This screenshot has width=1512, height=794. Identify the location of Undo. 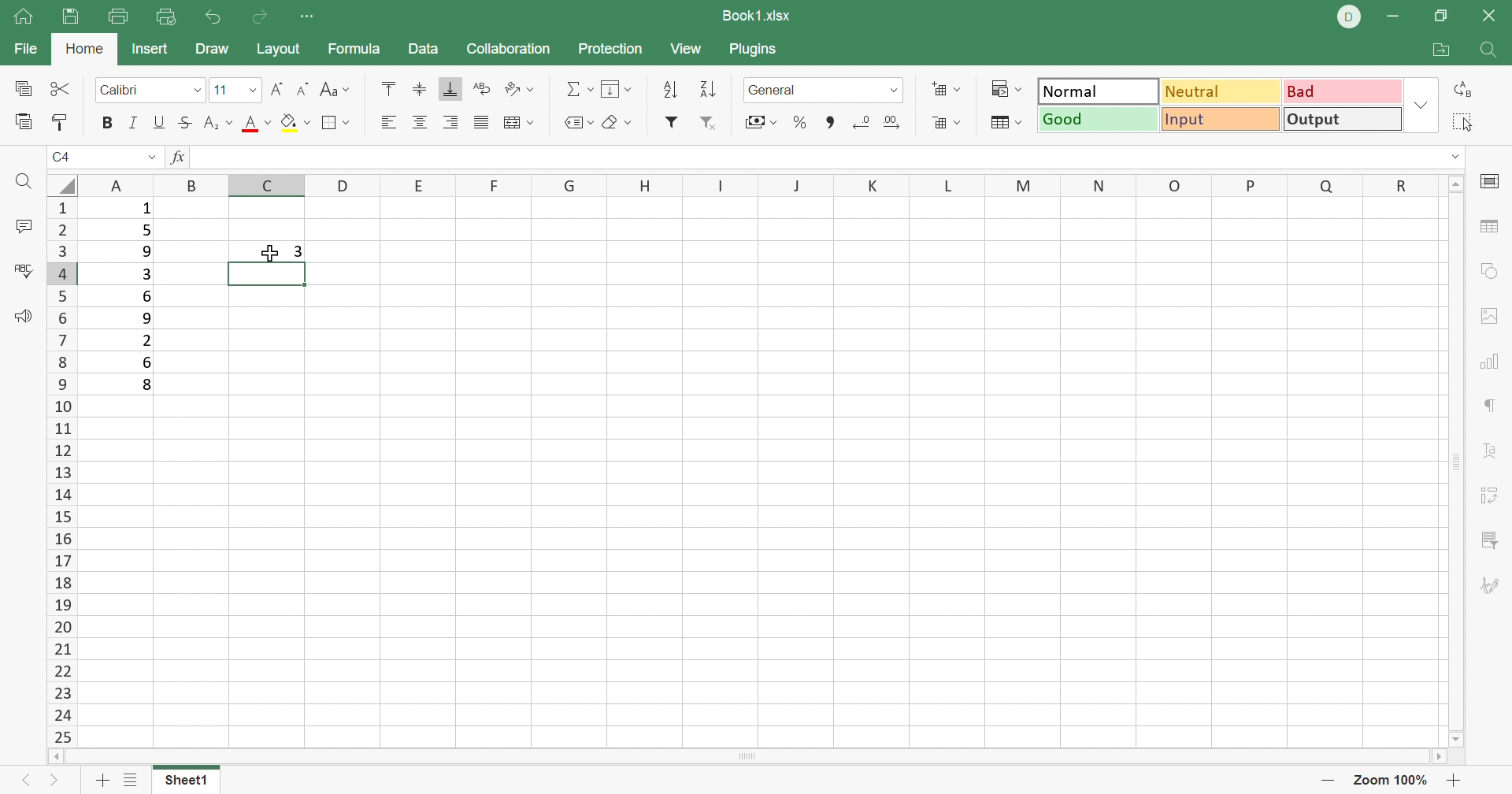
(212, 16).